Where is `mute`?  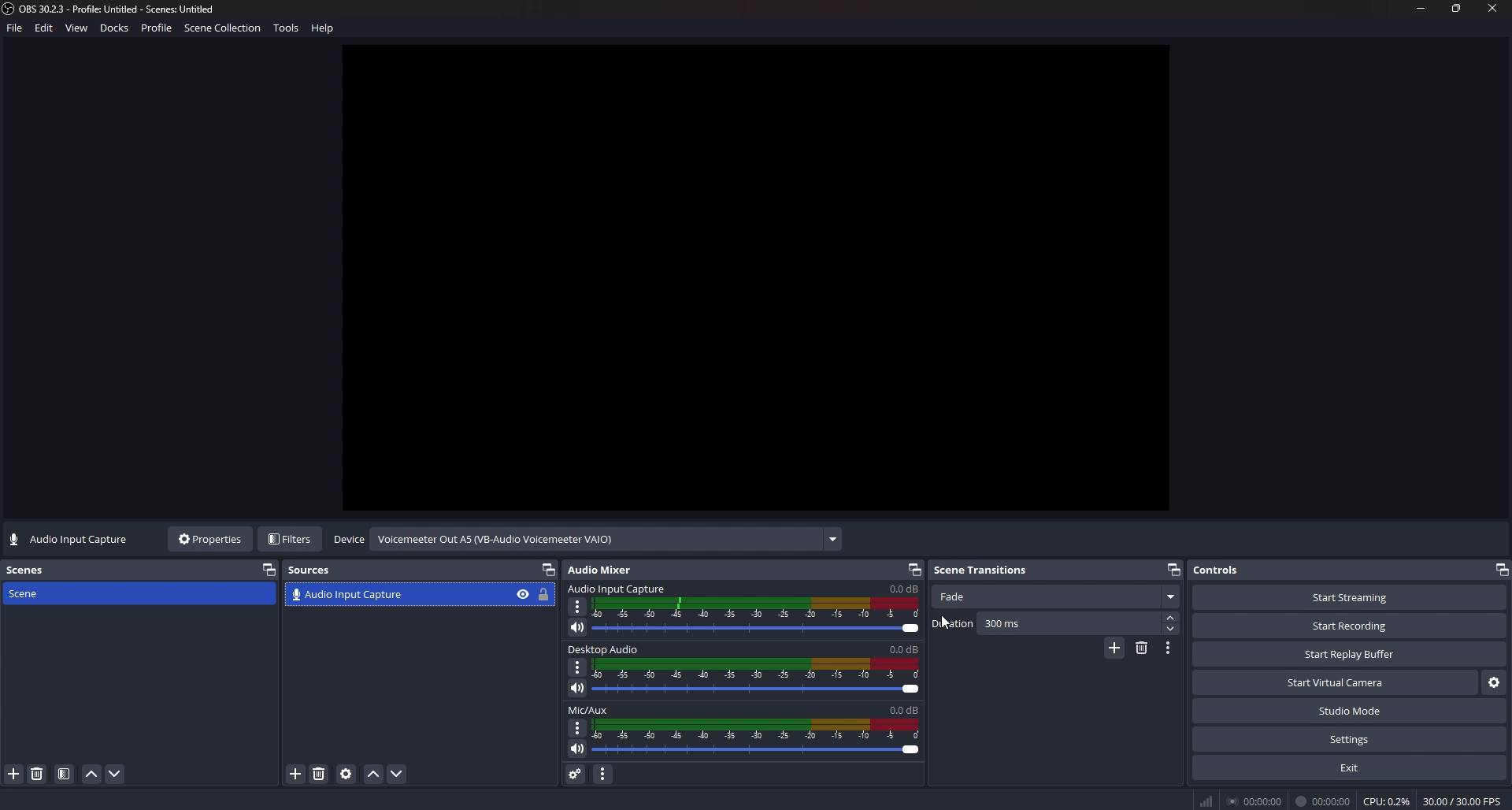
mute is located at coordinates (578, 627).